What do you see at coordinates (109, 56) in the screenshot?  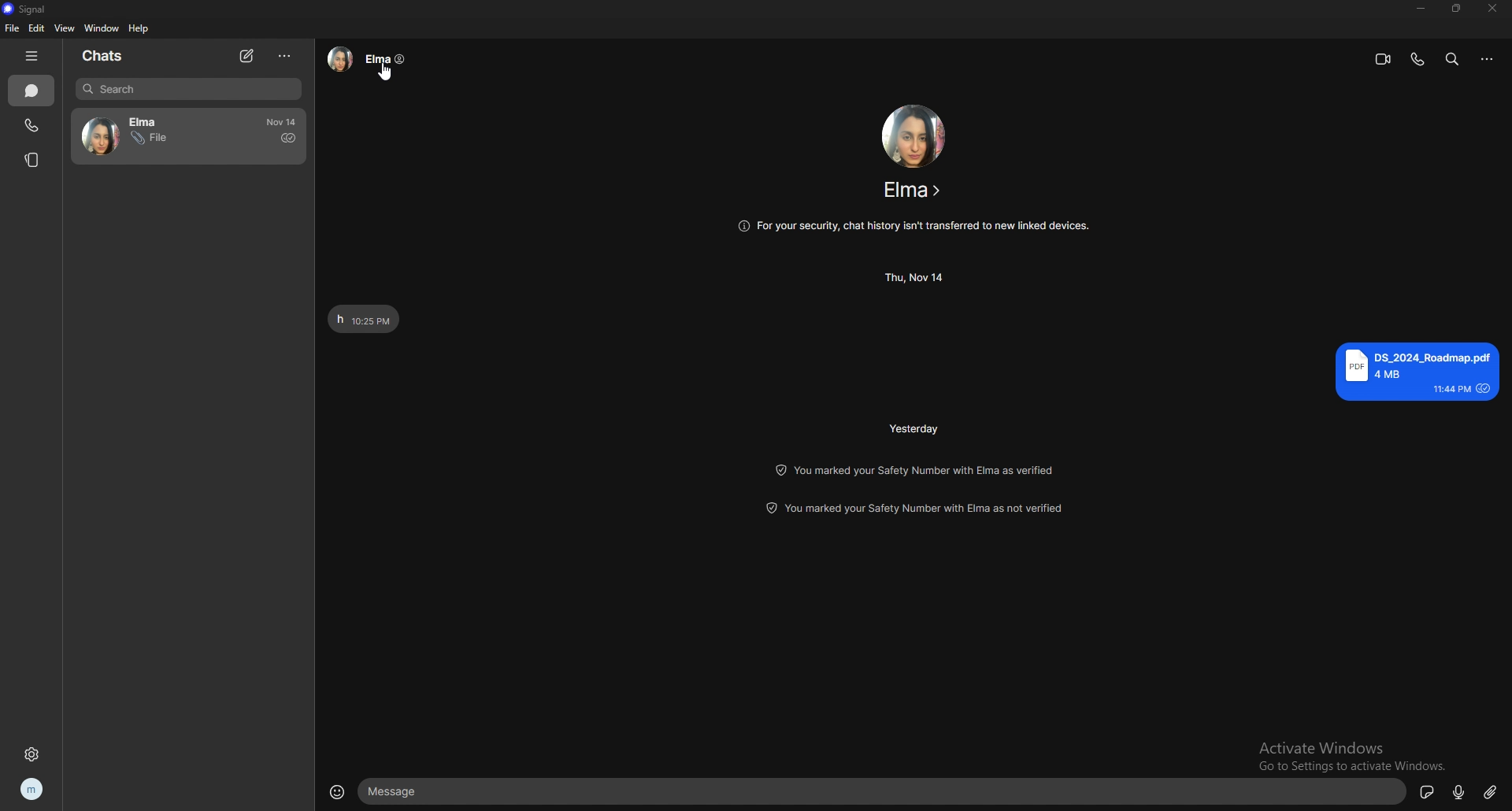 I see `chats` at bounding box center [109, 56].